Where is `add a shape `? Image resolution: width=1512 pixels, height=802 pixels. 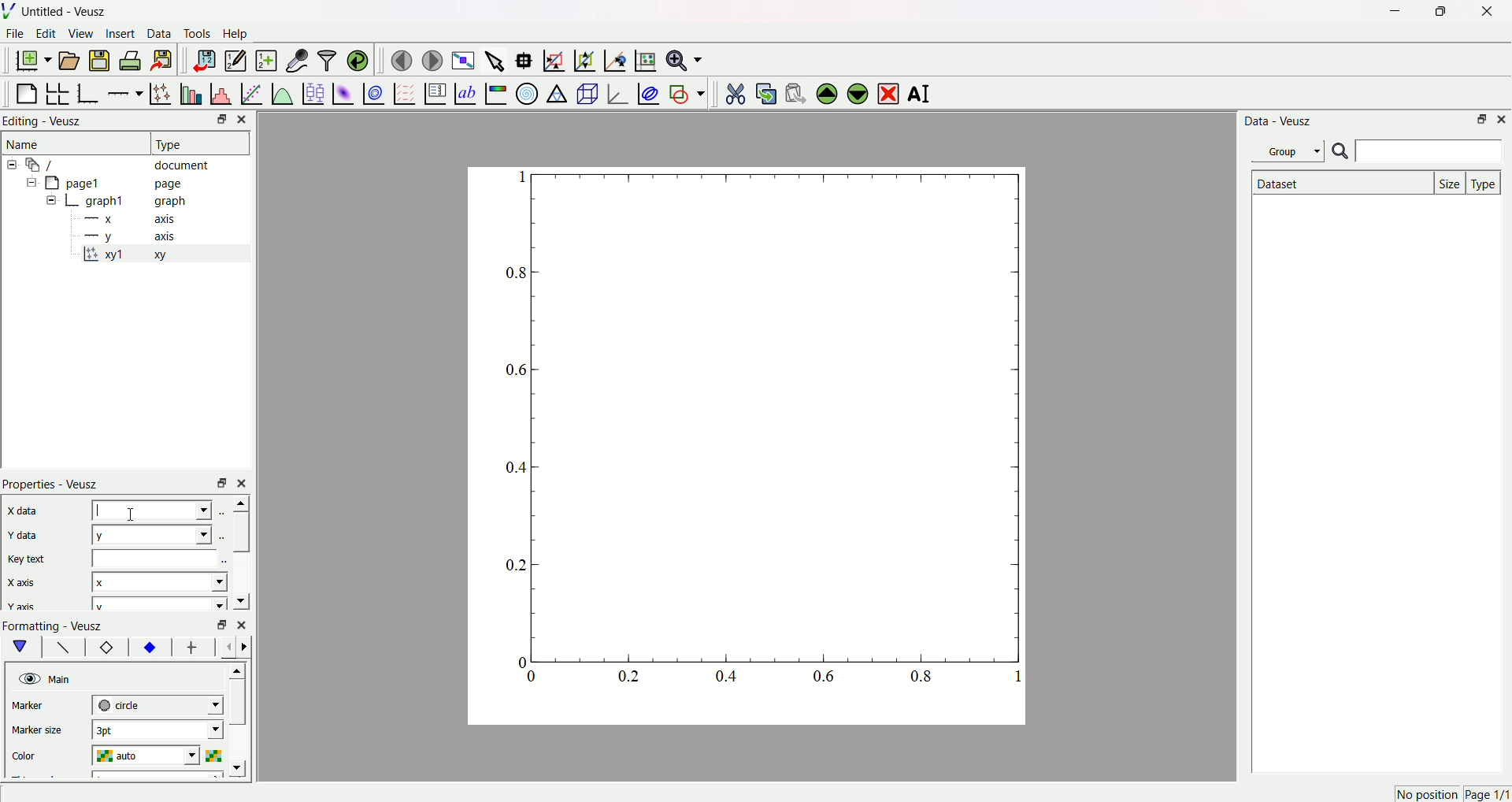 add a shape  is located at coordinates (686, 93).